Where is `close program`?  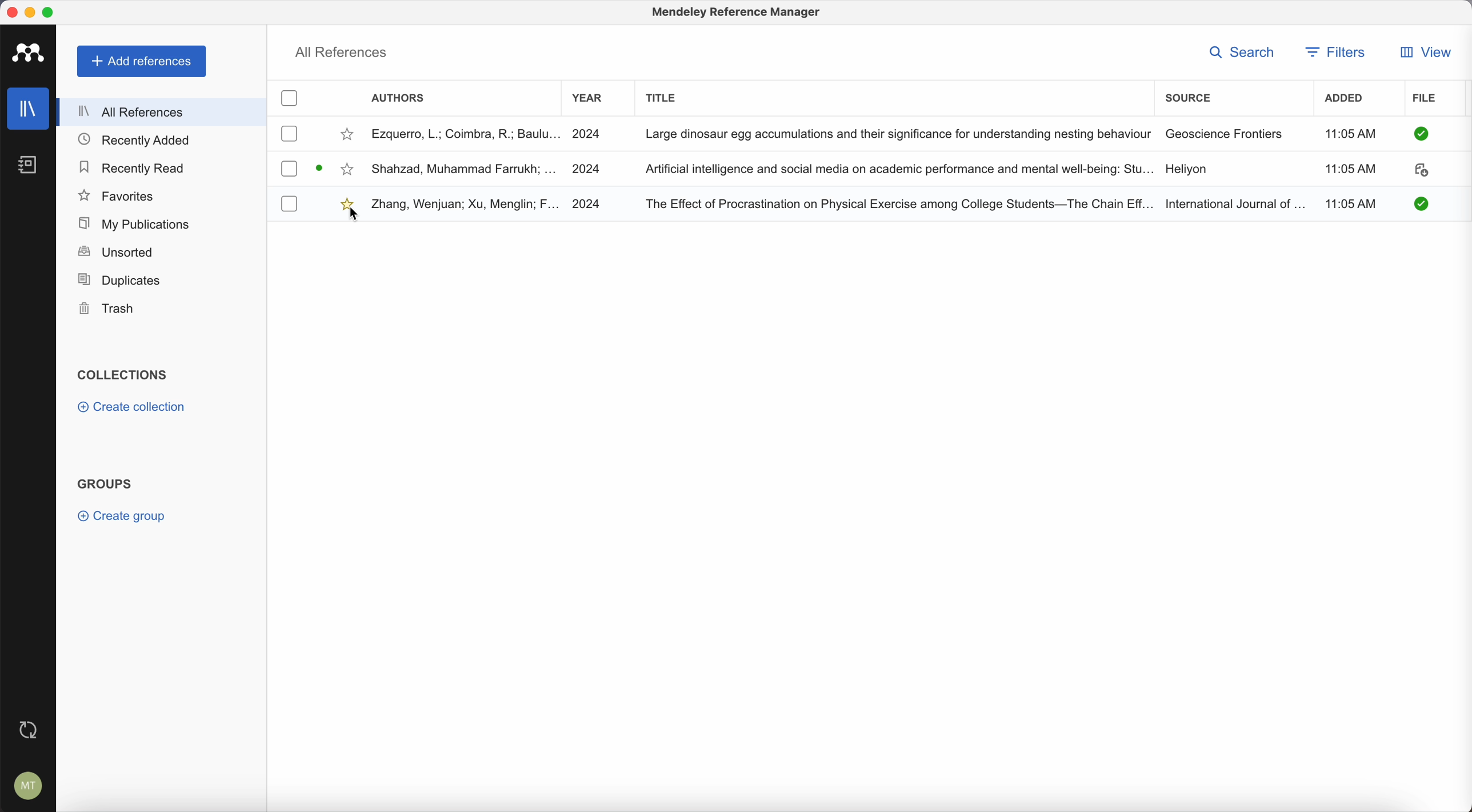
close program is located at coordinates (11, 12).